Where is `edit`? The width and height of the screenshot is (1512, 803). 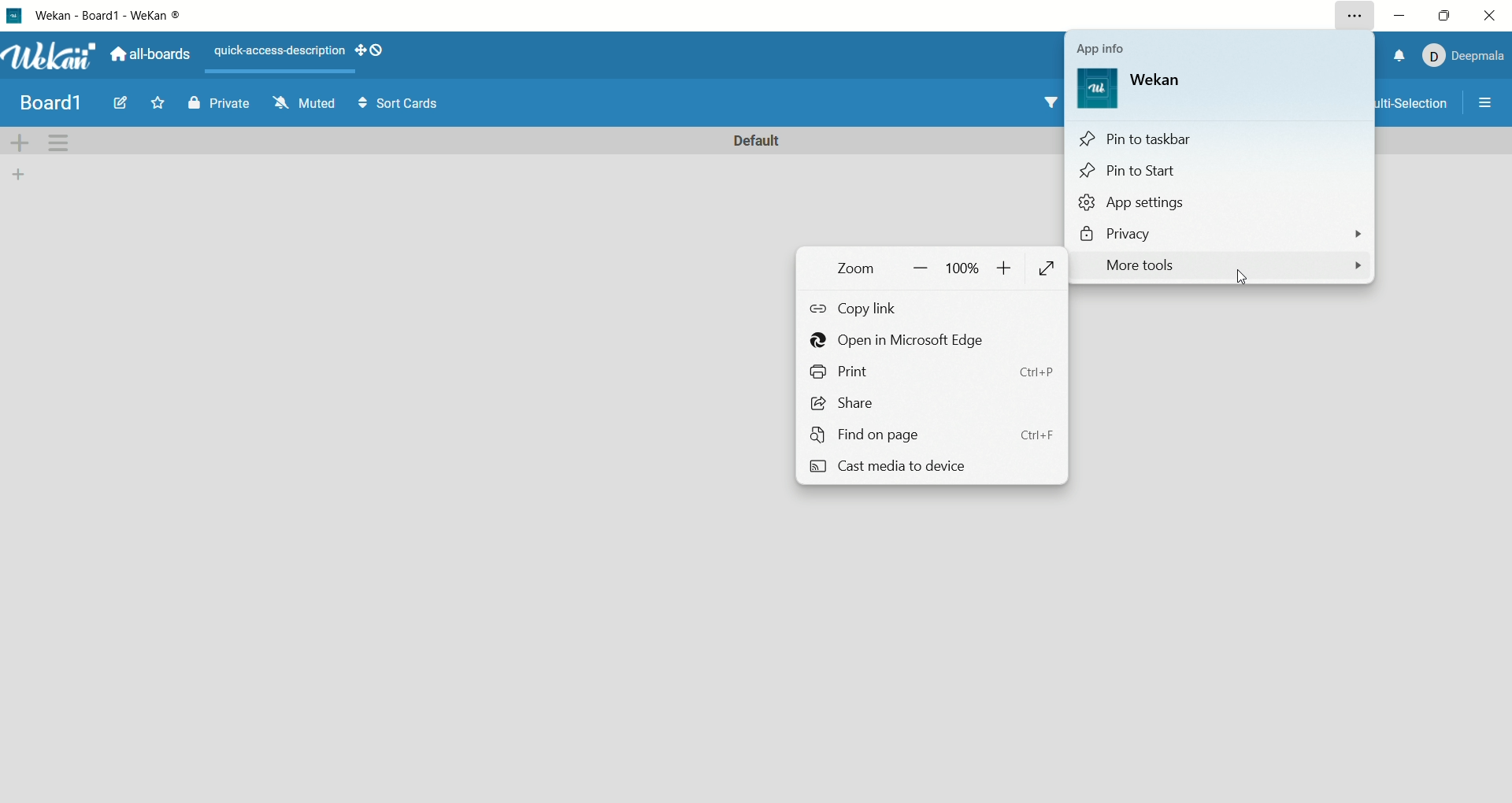
edit is located at coordinates (124, 106).